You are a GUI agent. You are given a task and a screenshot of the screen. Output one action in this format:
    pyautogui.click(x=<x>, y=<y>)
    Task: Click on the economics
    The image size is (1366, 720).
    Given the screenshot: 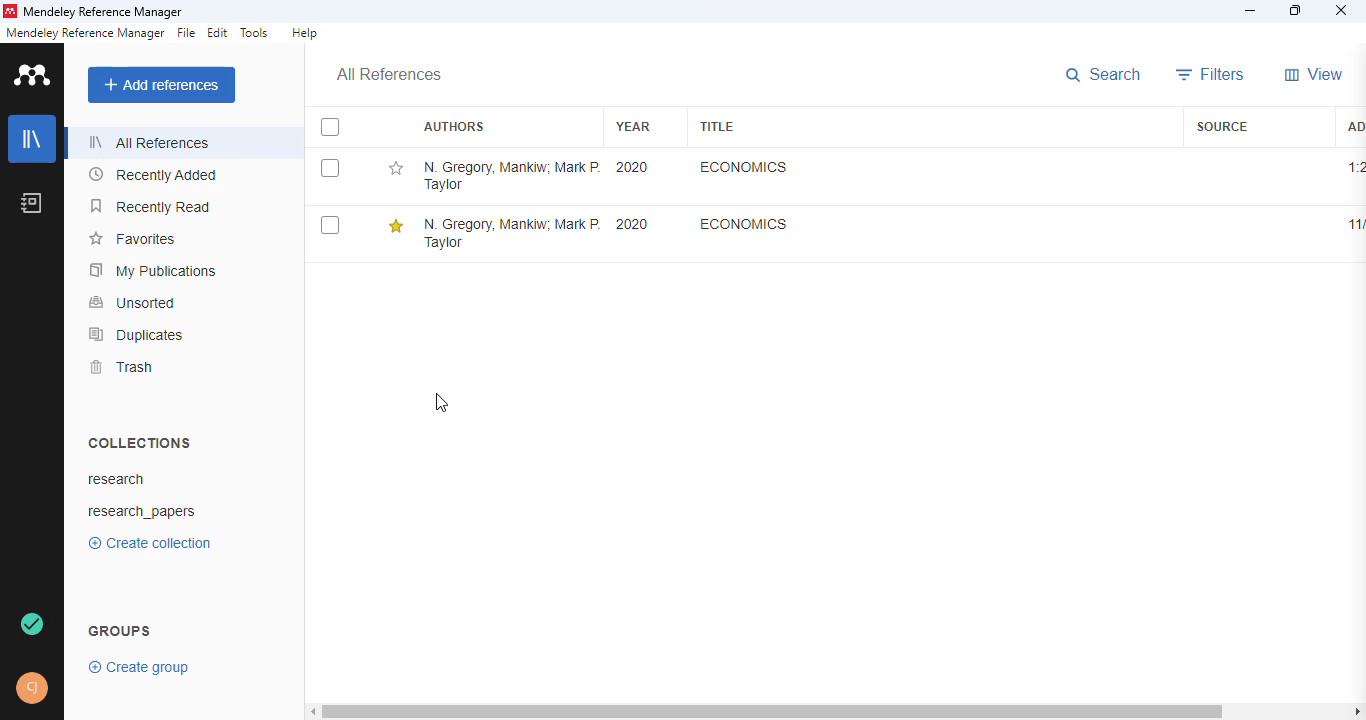 What is the action you would take?
    pyautogui.click(x=742, y=224)
    